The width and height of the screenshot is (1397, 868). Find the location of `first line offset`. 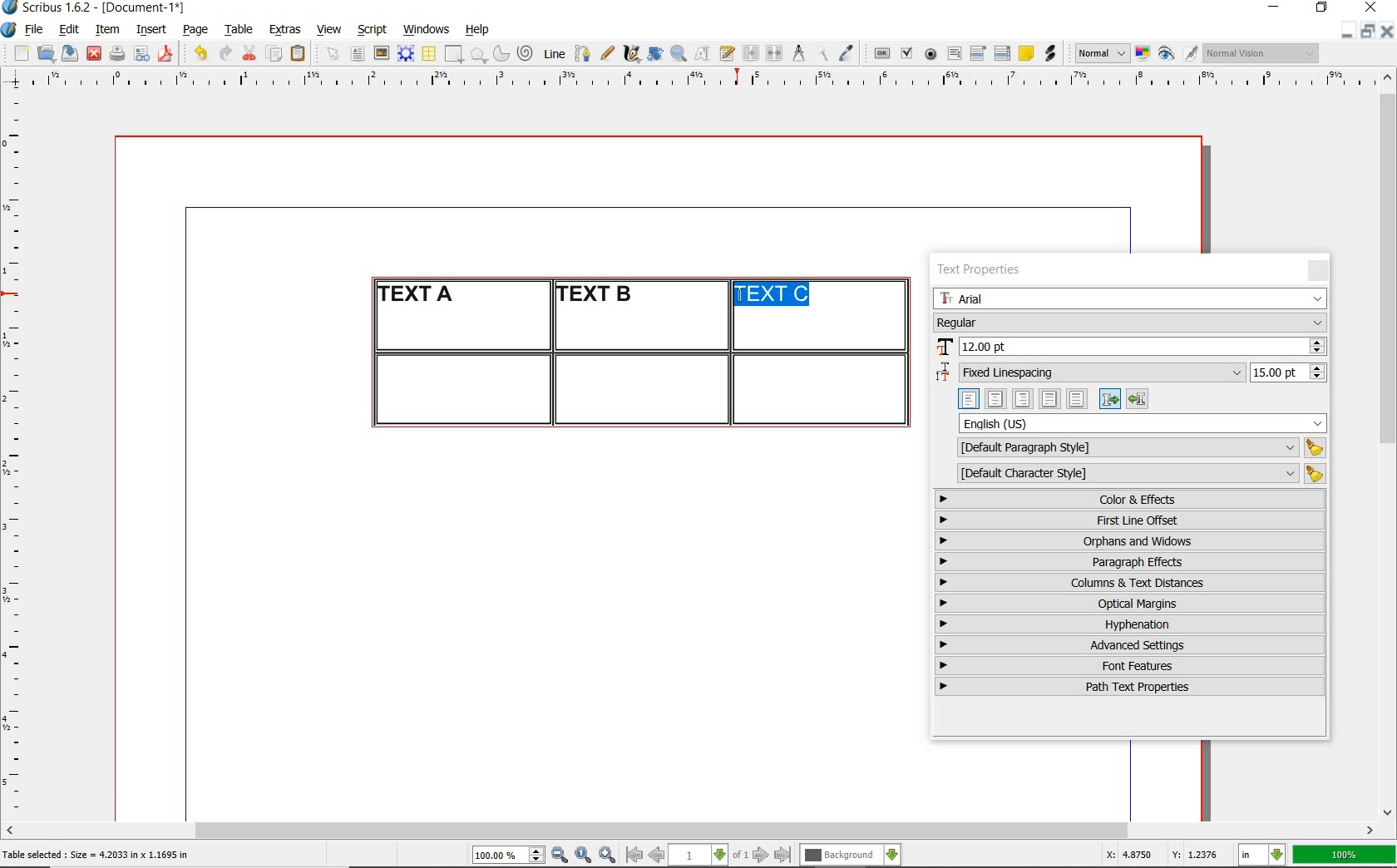

first line offset is located at coordinates (1131, 520).